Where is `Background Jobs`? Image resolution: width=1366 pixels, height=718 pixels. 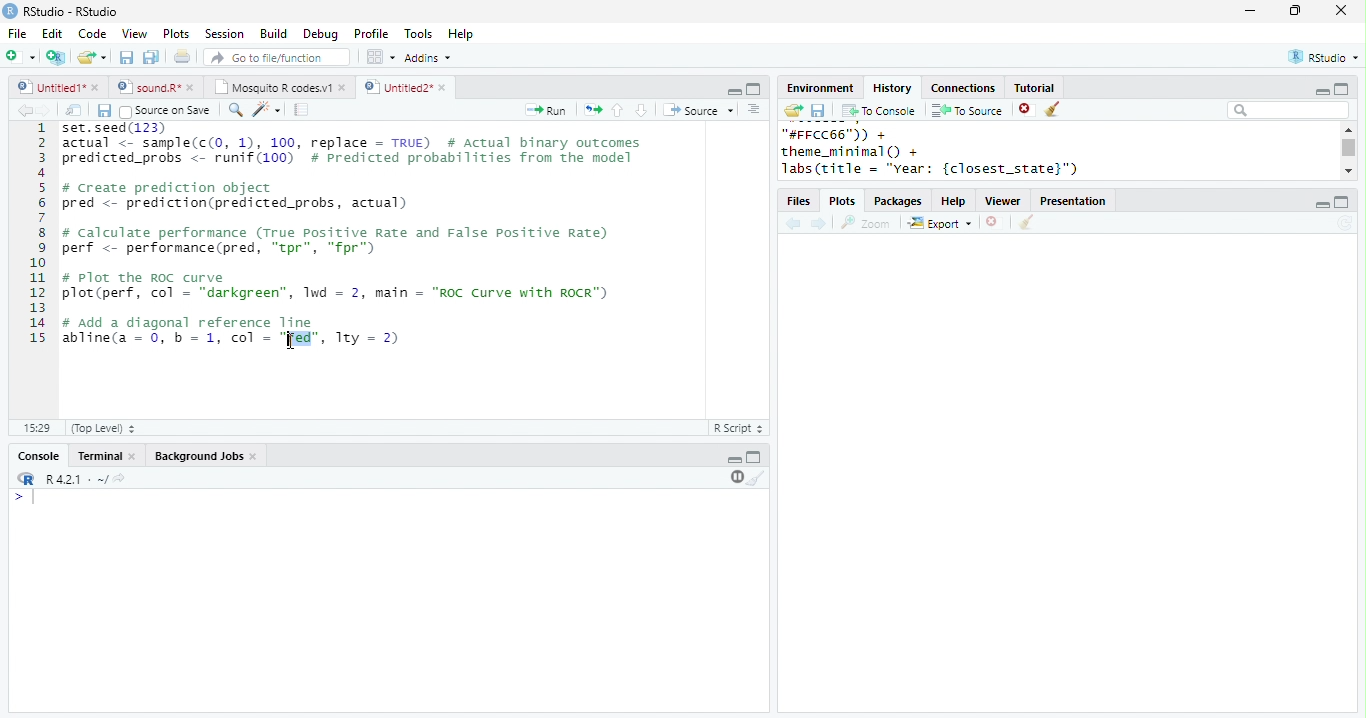
Background Jobs is located at coordinates (198, 456).